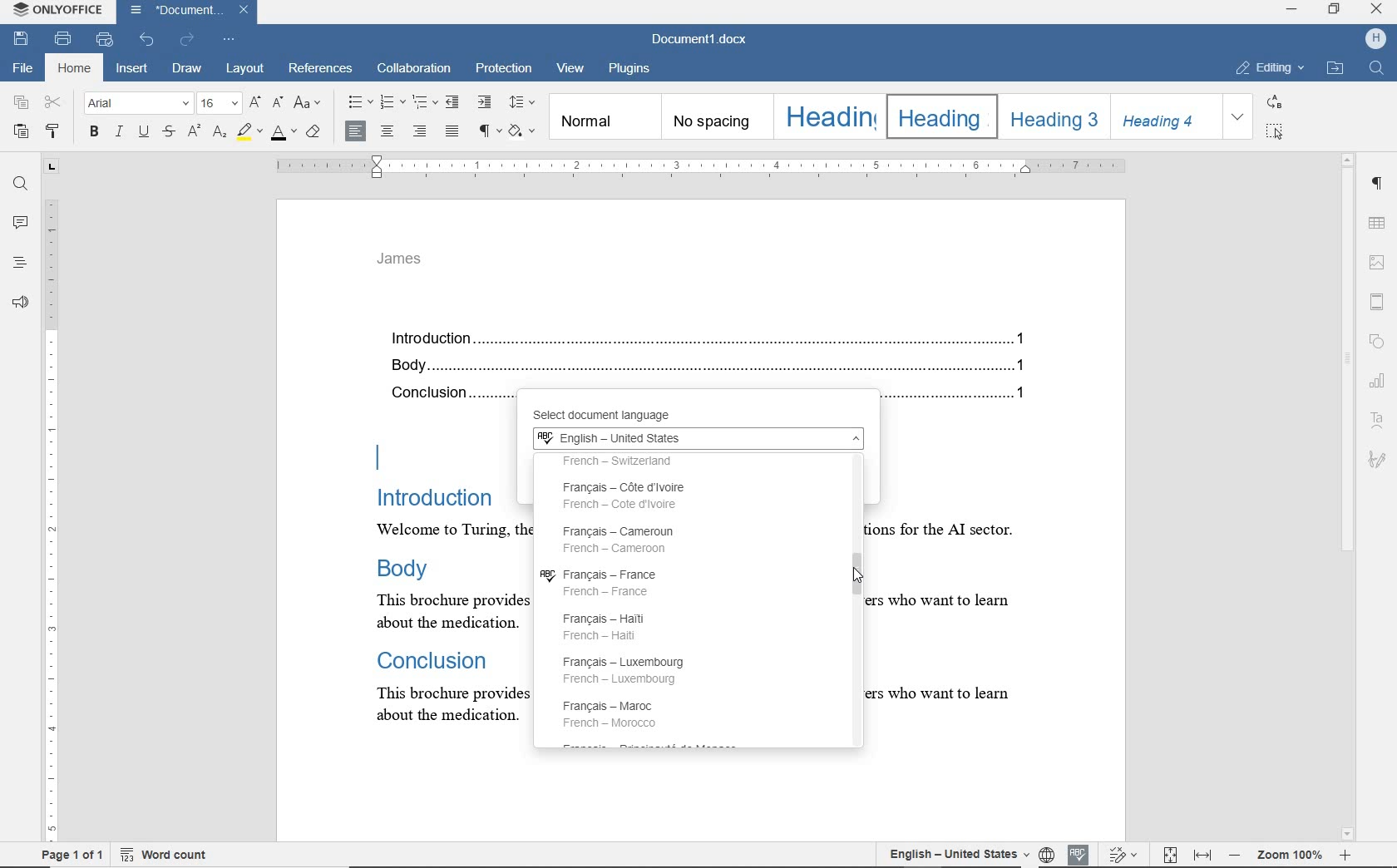  What do you see at coordinates (1378, 263) in the screenshot?
I see `insert image` at bounding box center [1378, 263].